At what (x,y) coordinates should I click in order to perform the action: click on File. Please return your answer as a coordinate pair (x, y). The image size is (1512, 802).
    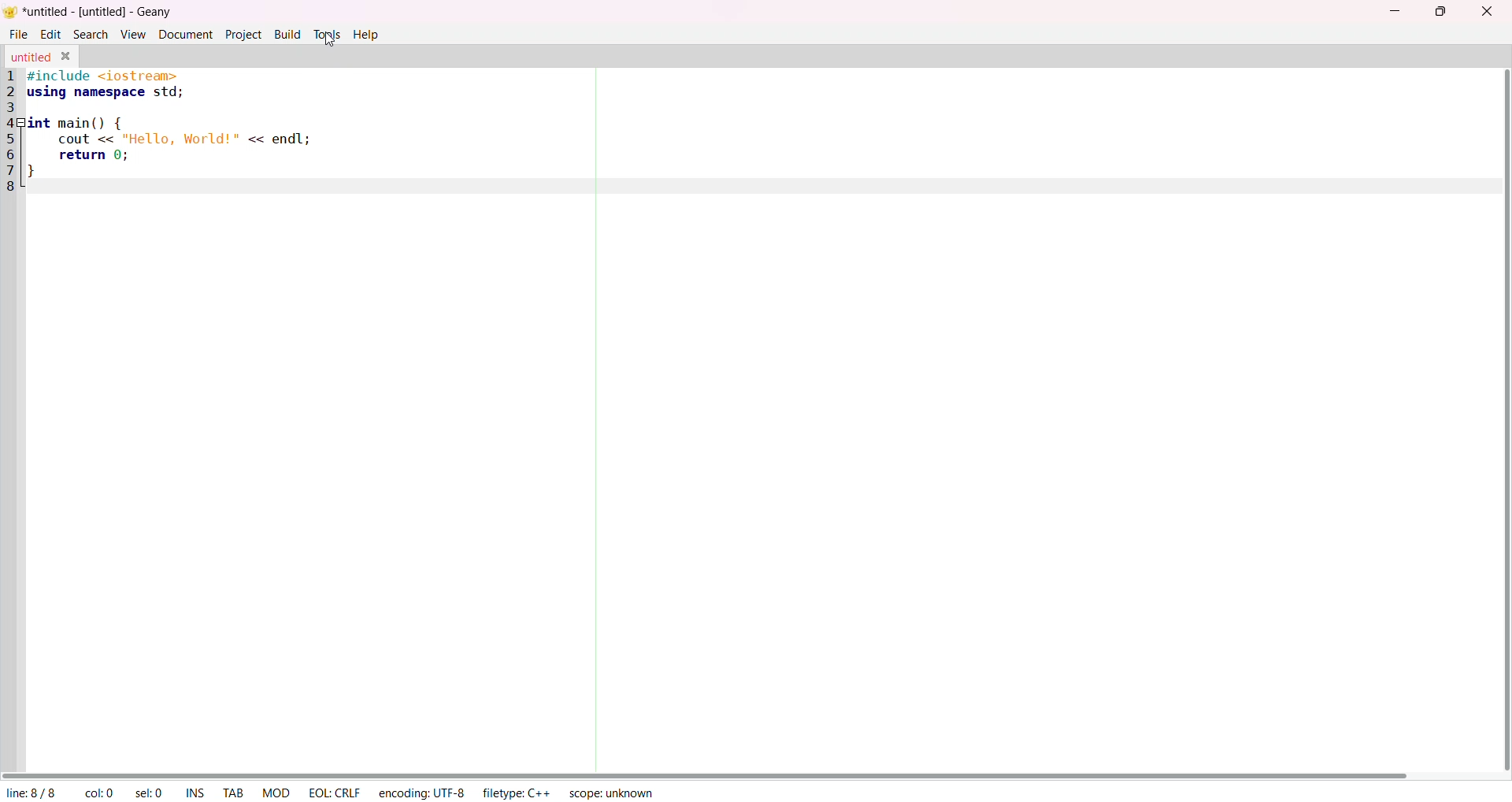
    Looking at the image, I should click on (18, 34).